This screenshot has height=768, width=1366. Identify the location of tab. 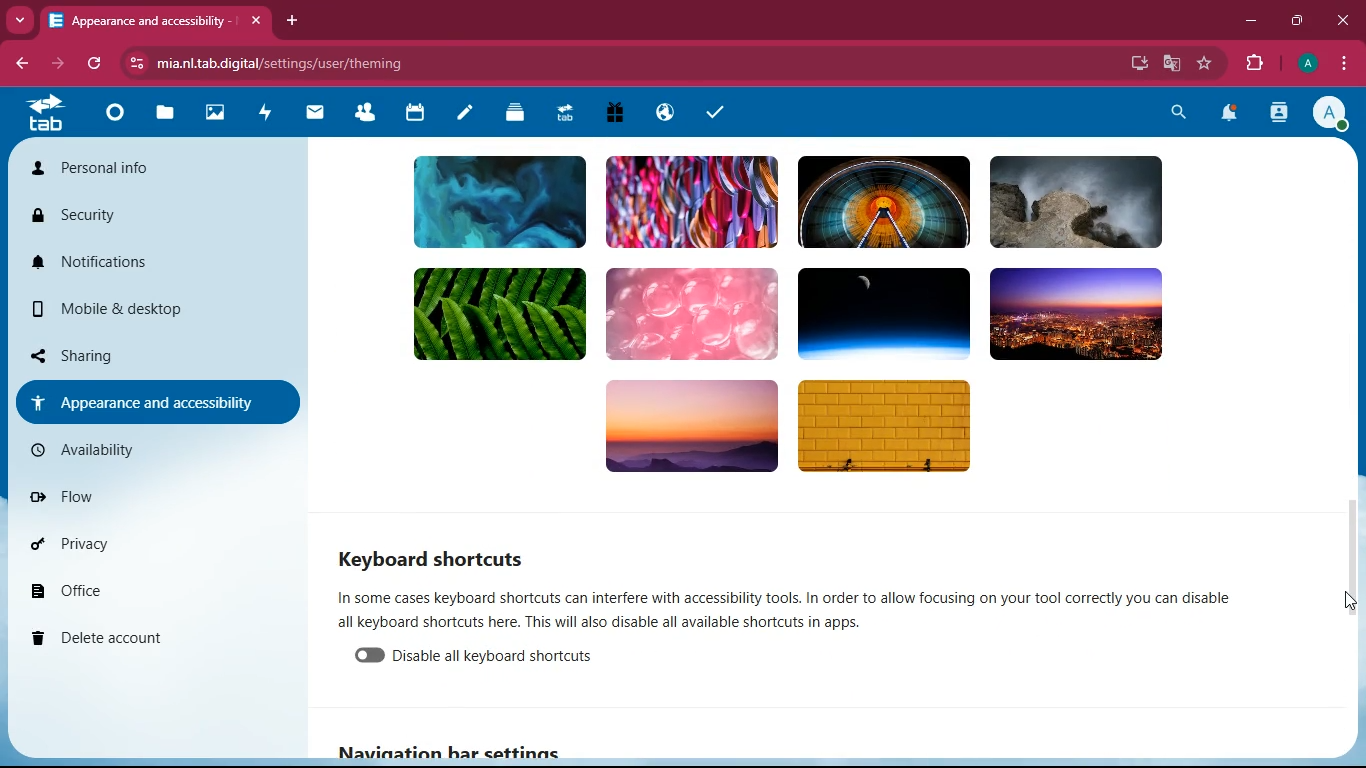
(154, 16).